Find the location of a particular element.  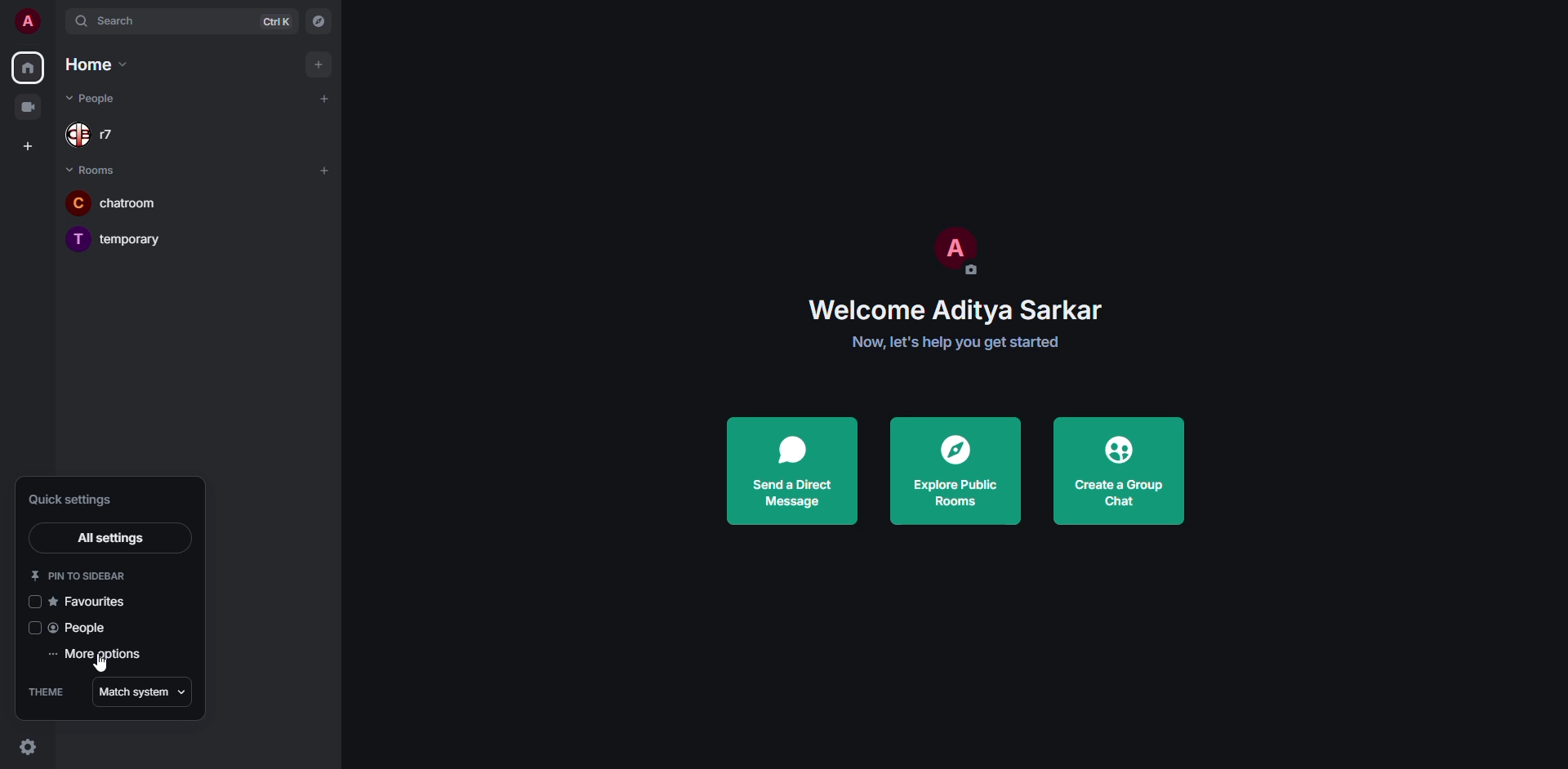

search is located at coordinates (109, 21).